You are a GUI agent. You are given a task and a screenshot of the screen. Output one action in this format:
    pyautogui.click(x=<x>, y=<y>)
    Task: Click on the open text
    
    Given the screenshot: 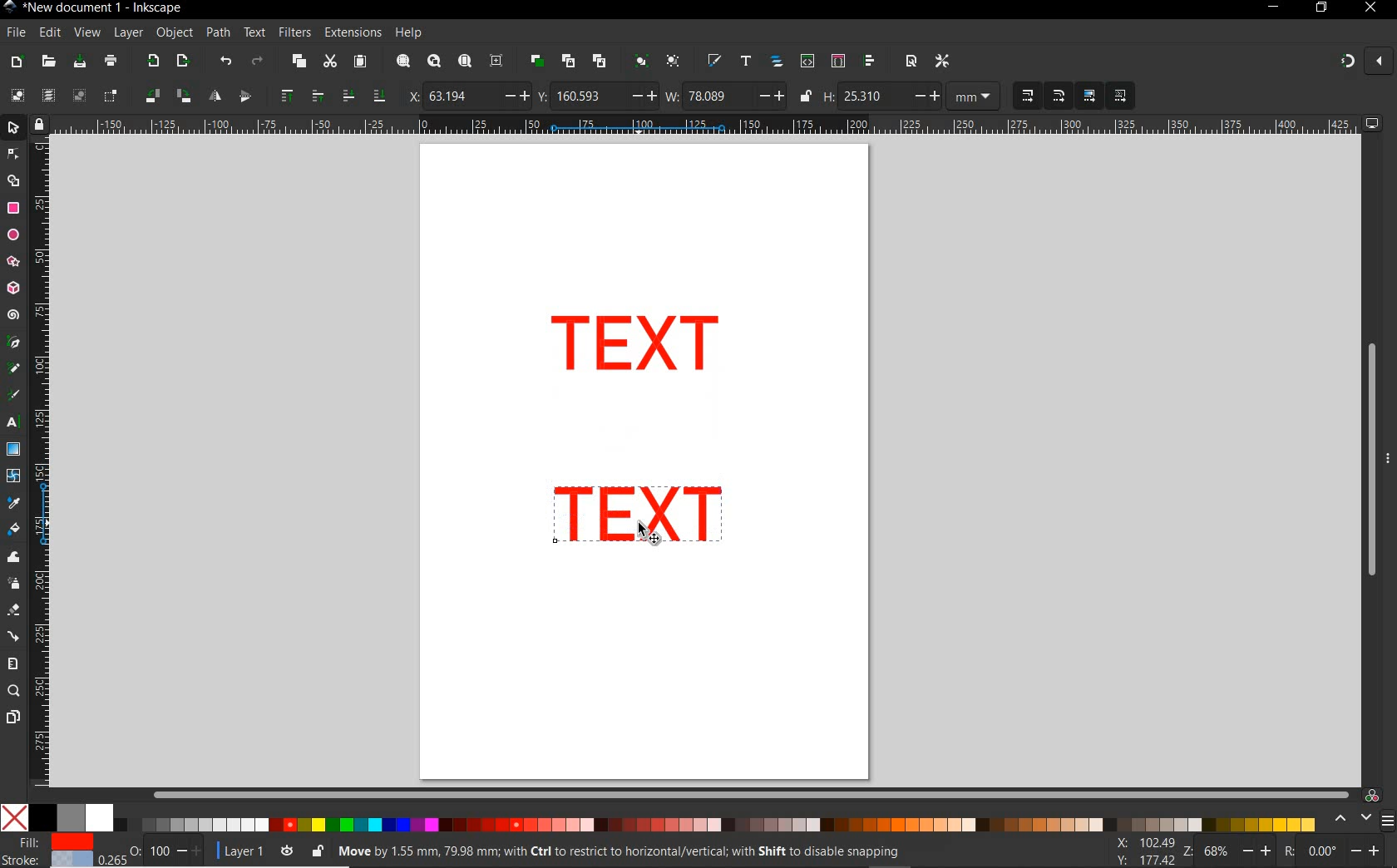 What is the action you would take?
    pyautogui.click(x=746, y=62)
    